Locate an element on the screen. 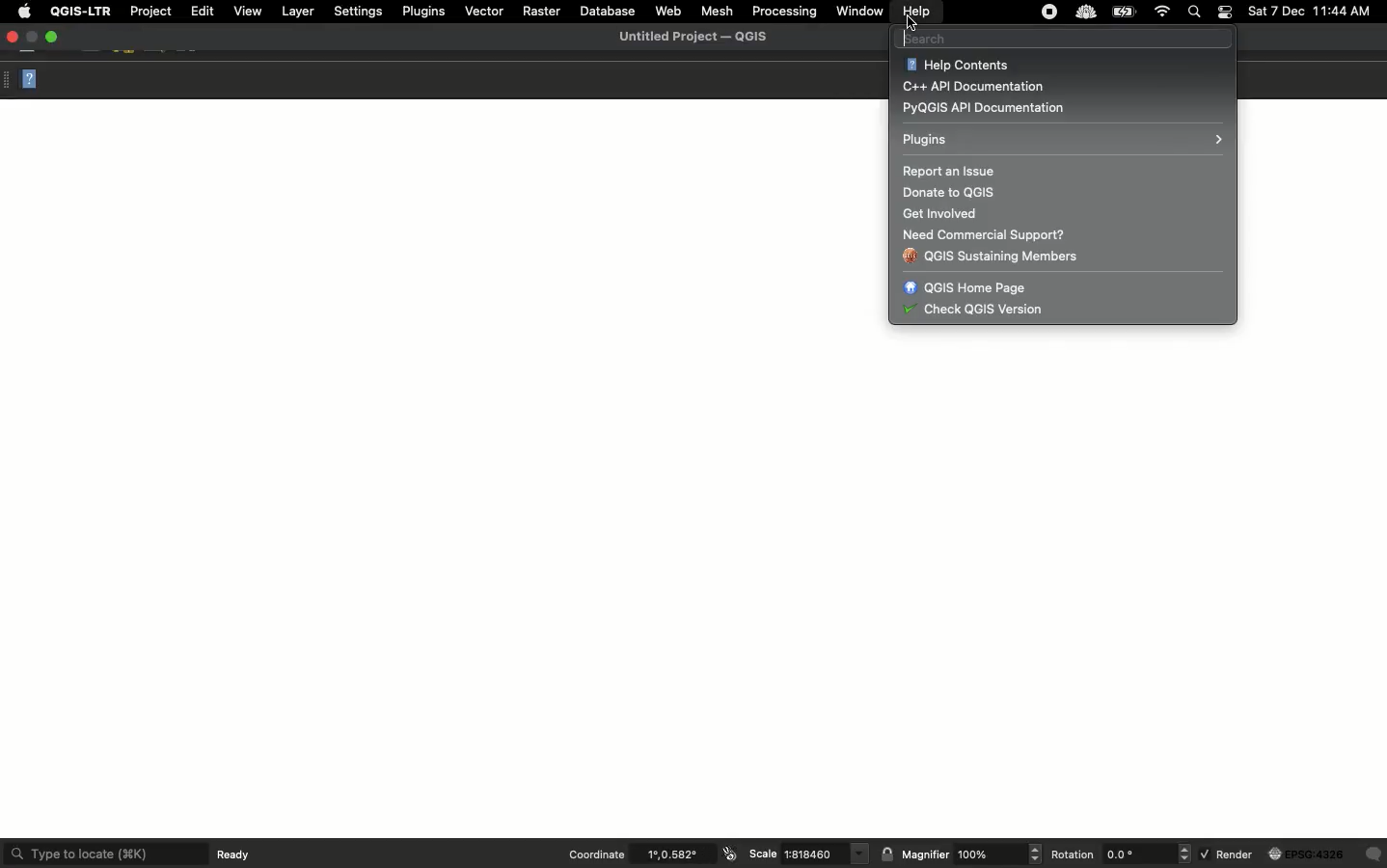 This screenshot has height=868, width=1387. Search is located at coordinates (1067, 39).